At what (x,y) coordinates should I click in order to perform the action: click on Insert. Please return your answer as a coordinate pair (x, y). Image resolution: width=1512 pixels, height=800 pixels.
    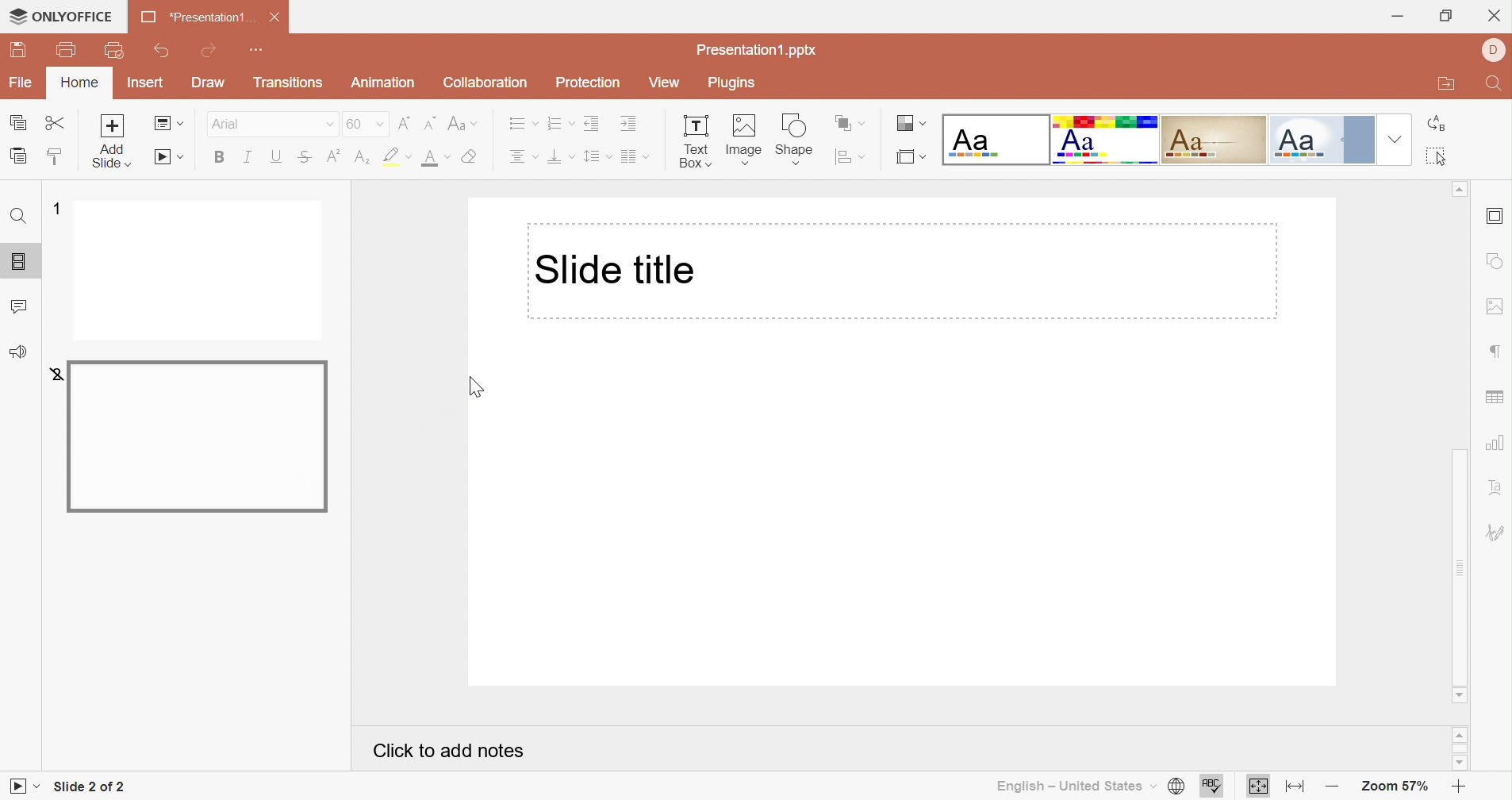
    Looking at the image, I should click on (141, 83).